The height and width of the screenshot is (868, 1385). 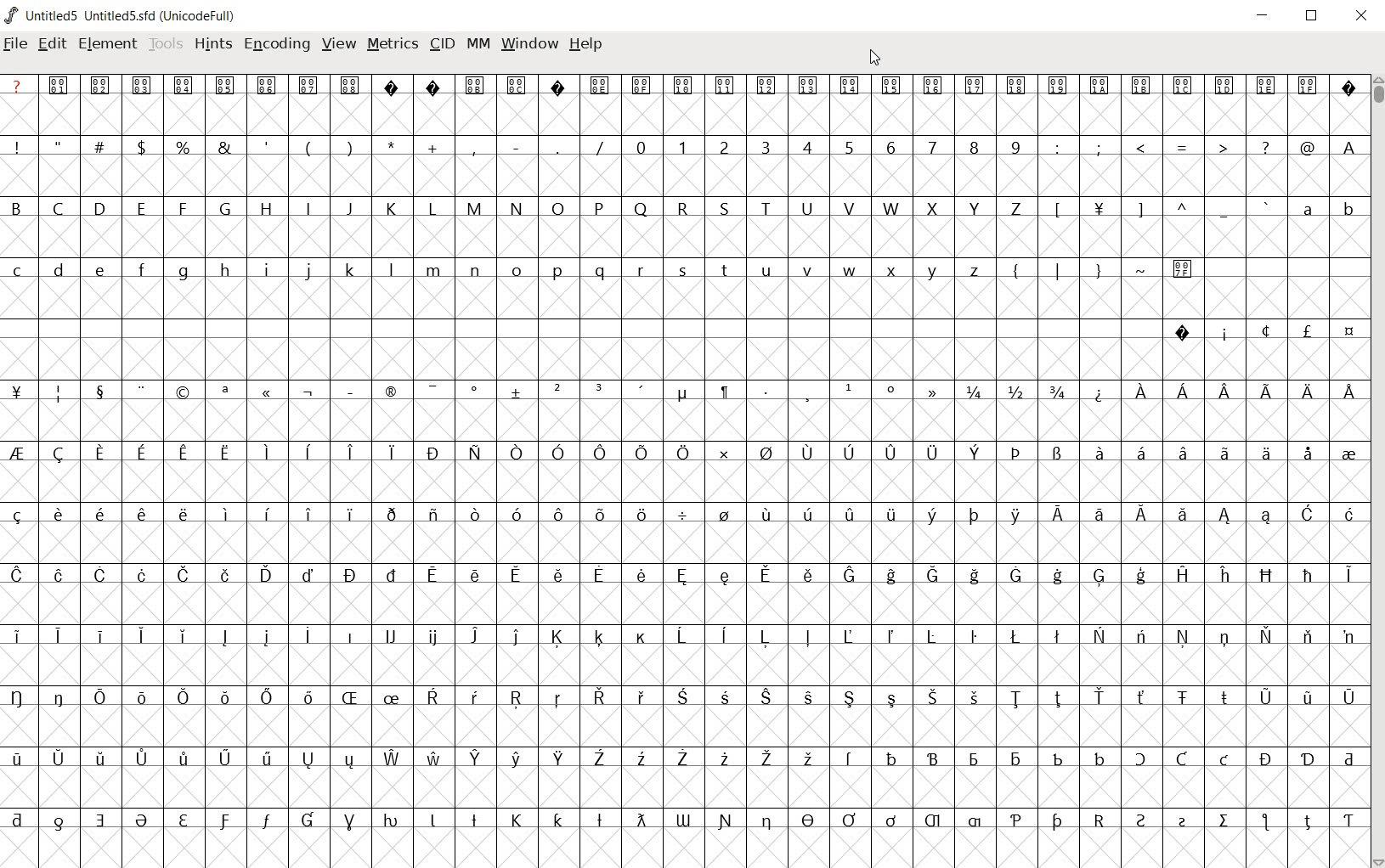 I want to click on Symbol, so click(x=183, y=697).